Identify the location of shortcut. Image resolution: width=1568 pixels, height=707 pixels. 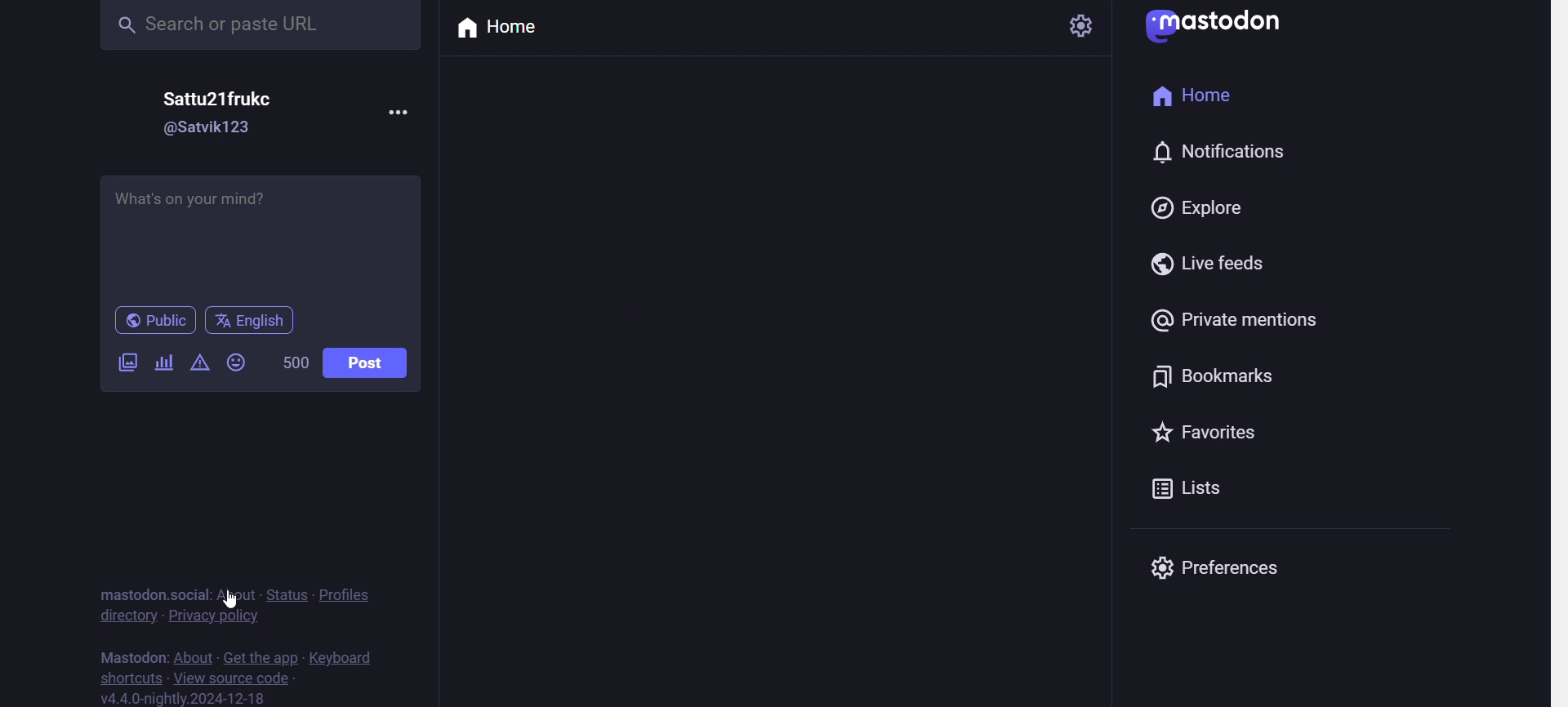
(132, 674).